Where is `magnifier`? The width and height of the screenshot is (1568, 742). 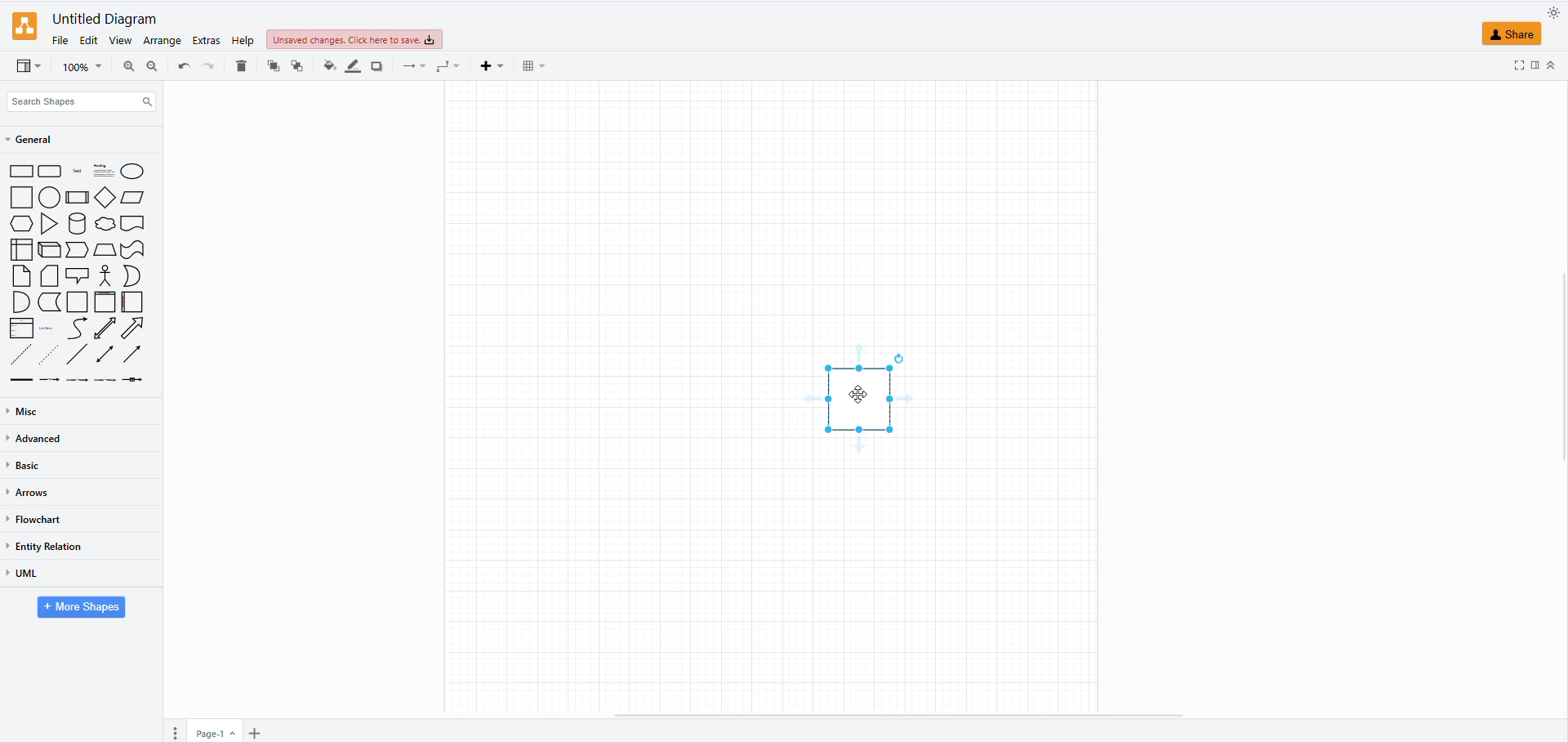 magnifier is located at coordinates (82, 66).